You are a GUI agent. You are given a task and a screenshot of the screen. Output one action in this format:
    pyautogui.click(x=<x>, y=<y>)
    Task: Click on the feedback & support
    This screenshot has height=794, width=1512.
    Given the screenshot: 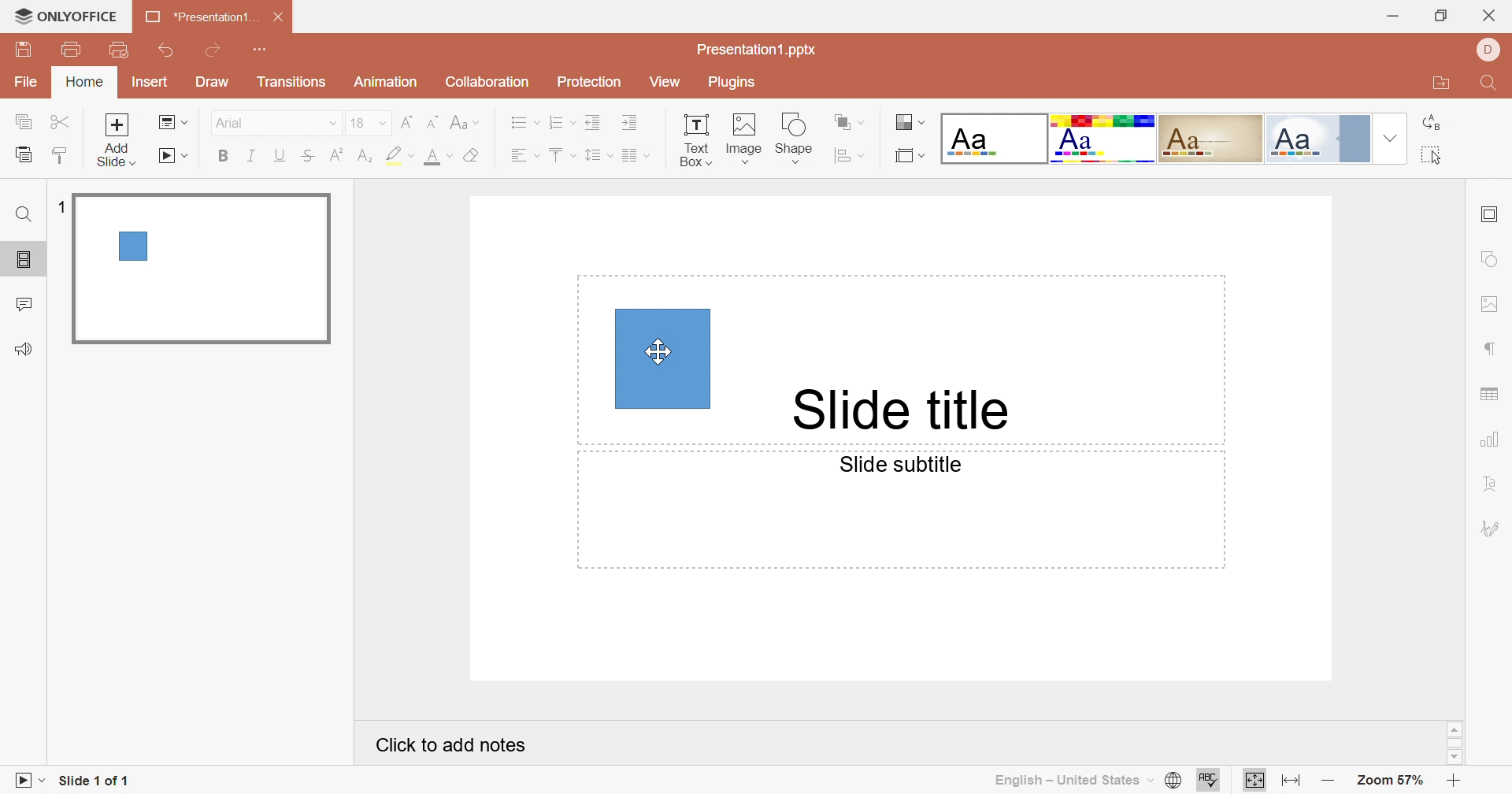 What is the action you would take?
    pyautogui.click(x=23, y=348)
    